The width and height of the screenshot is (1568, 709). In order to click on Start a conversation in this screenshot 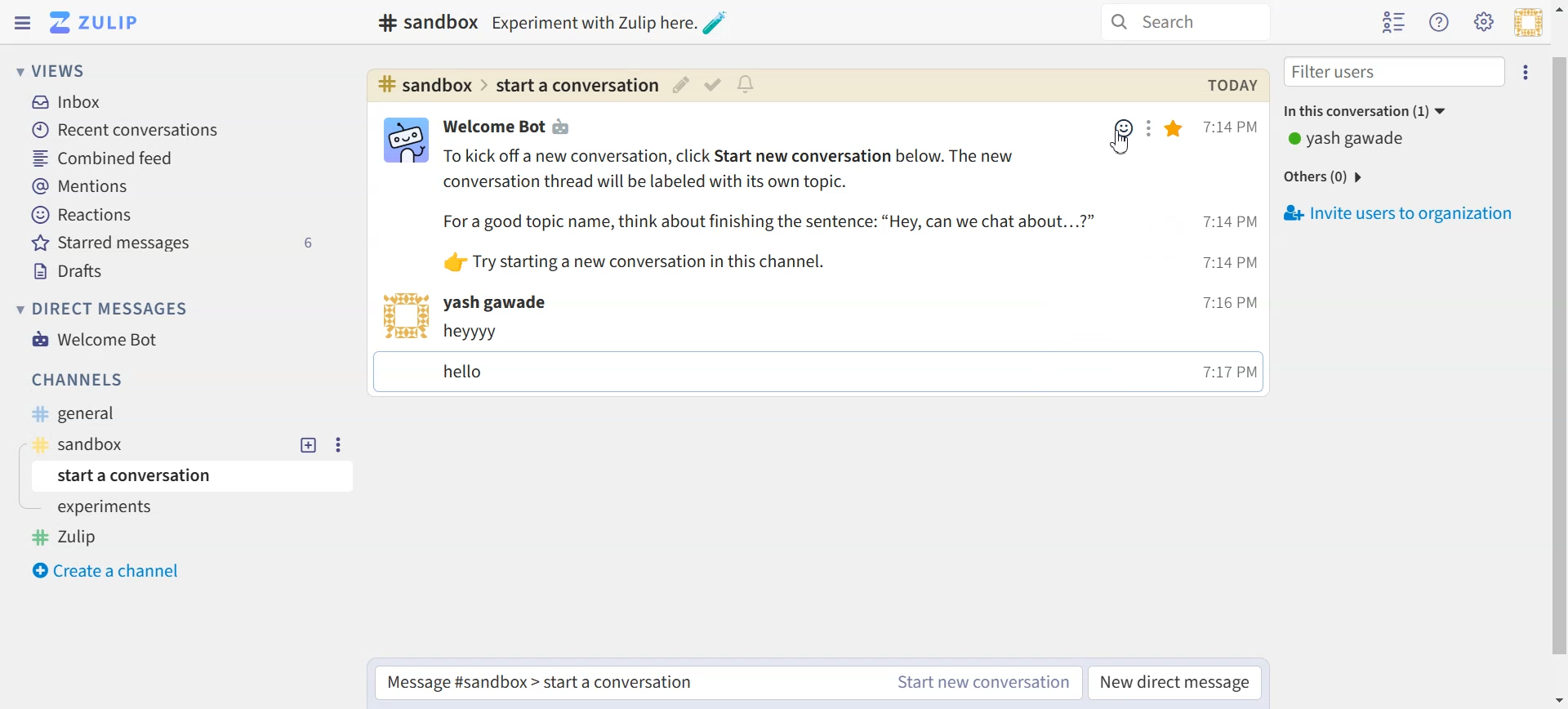, I will do `click(624, 685)`.